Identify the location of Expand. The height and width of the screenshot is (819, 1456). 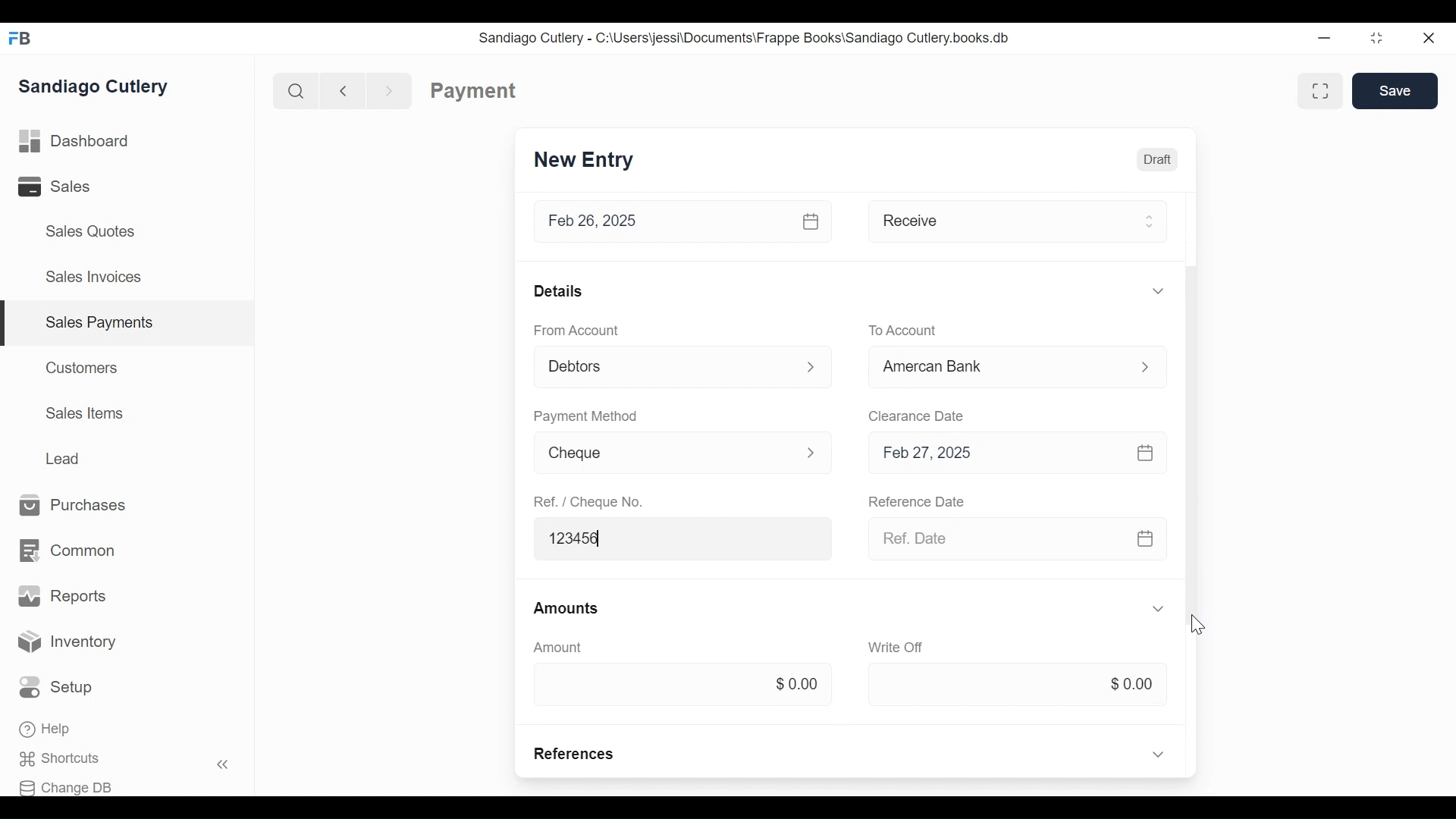
(1159, 609).